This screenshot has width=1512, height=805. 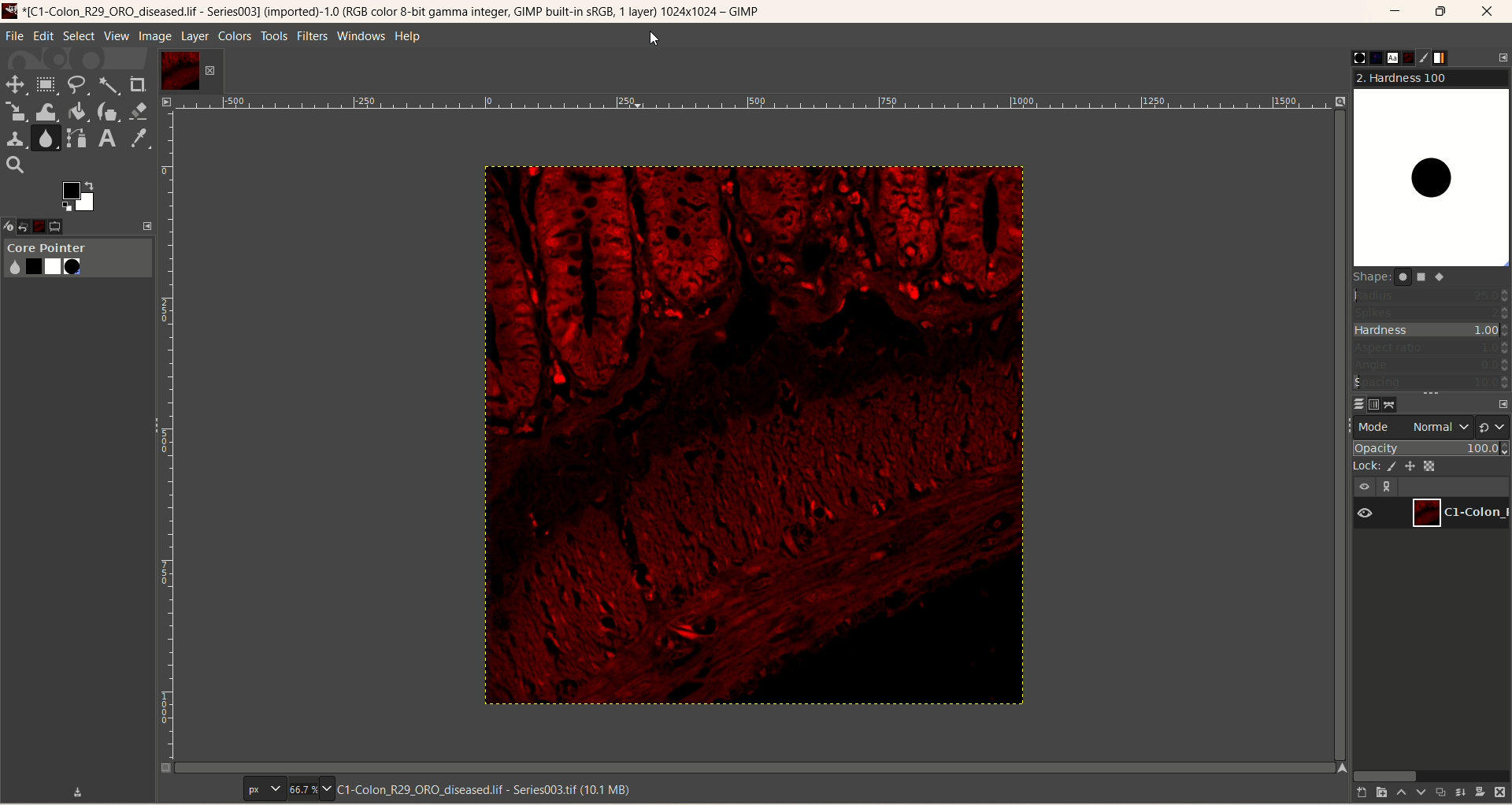 What do you see at coordinates (107, 87) in the screenshot?
I see `fuzzy select` at bounding box center [107, 87].